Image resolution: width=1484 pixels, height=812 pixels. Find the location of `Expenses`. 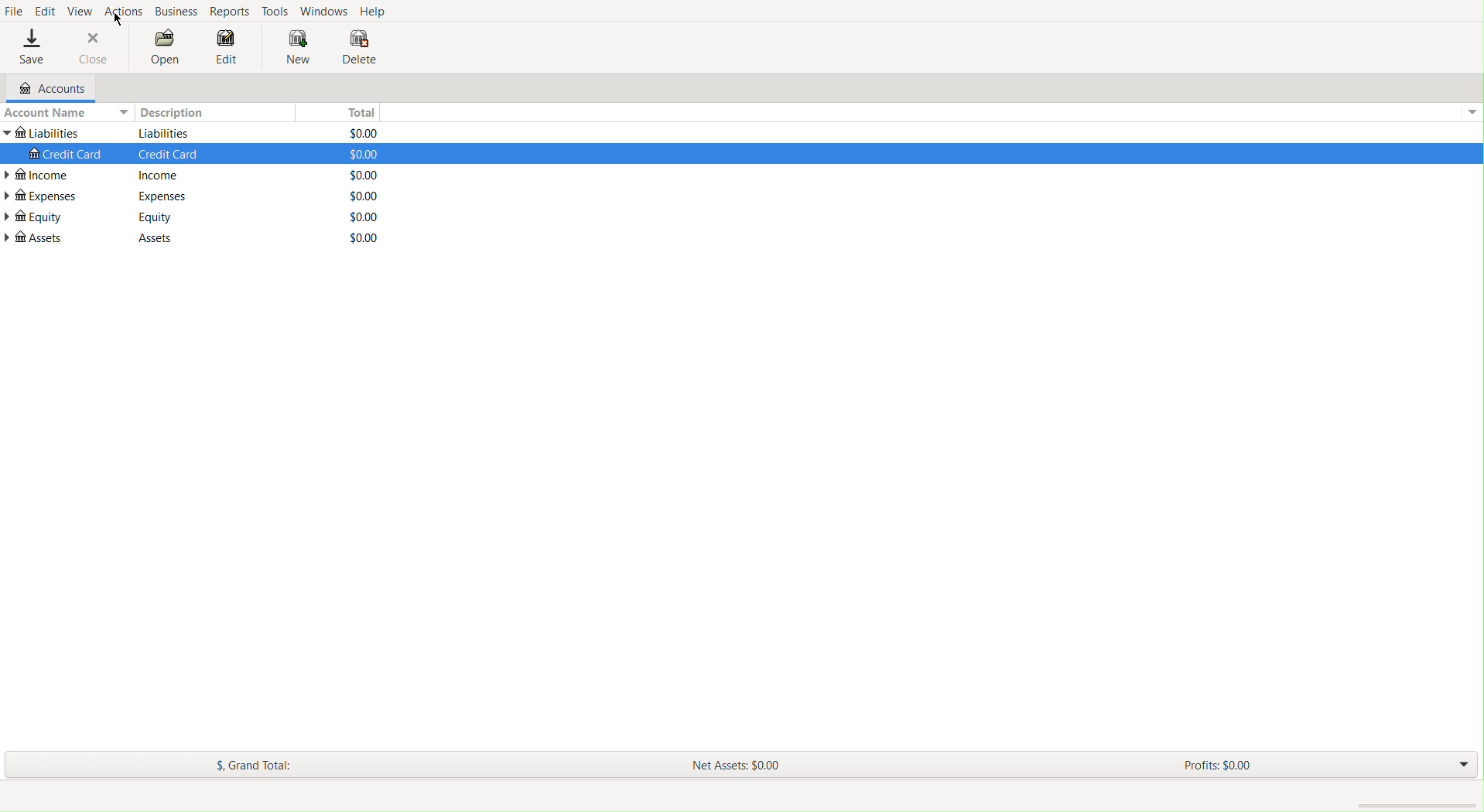

Expenses is located at coordinates (43, 196).